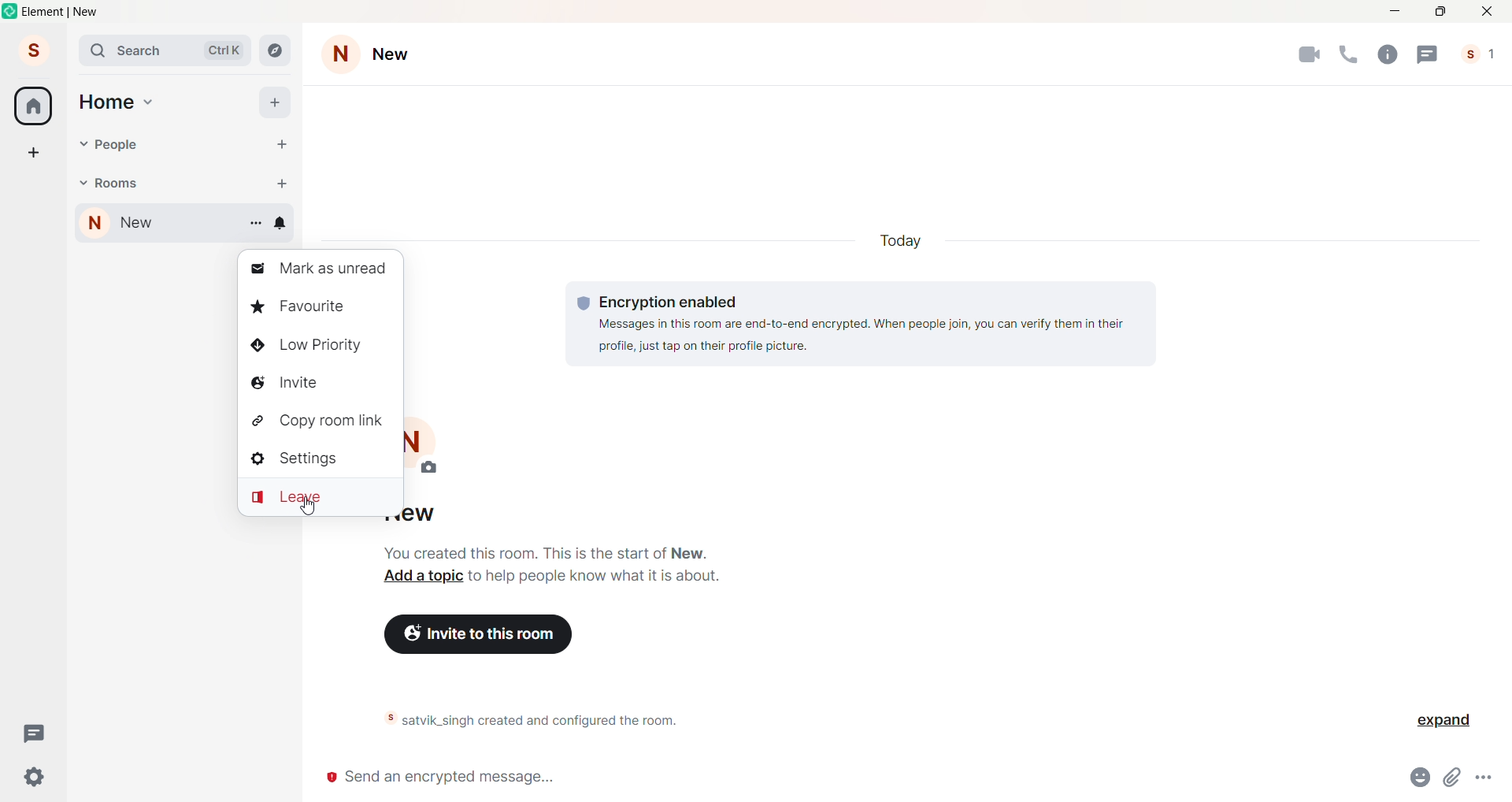 The height and width of the screenshot is (802, 1512). I want to click on Emoji, so click(1424, 776).